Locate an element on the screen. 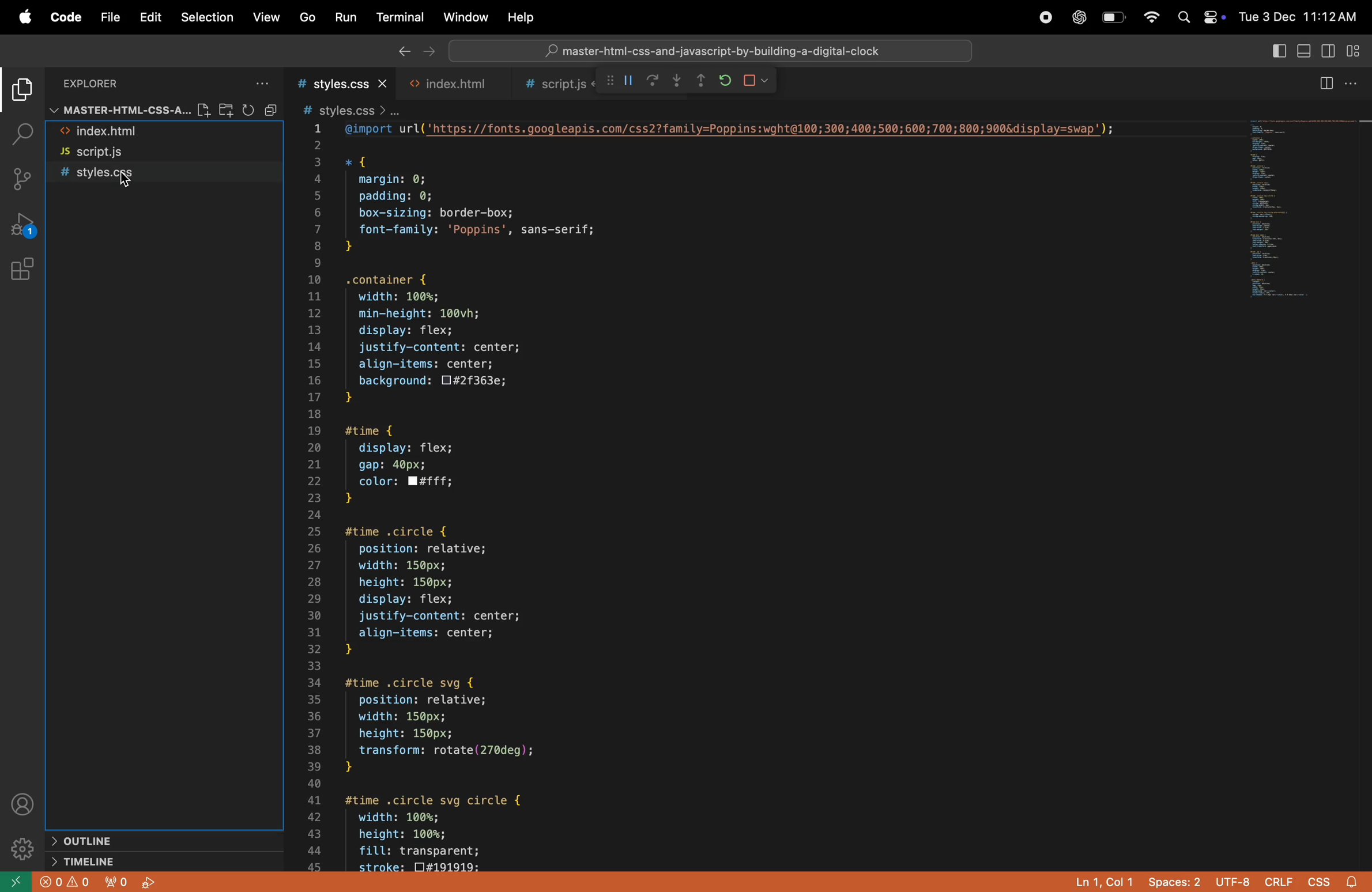 This screenshot has width=1372, height=892. extinsions is located at coordinates (26, 277).